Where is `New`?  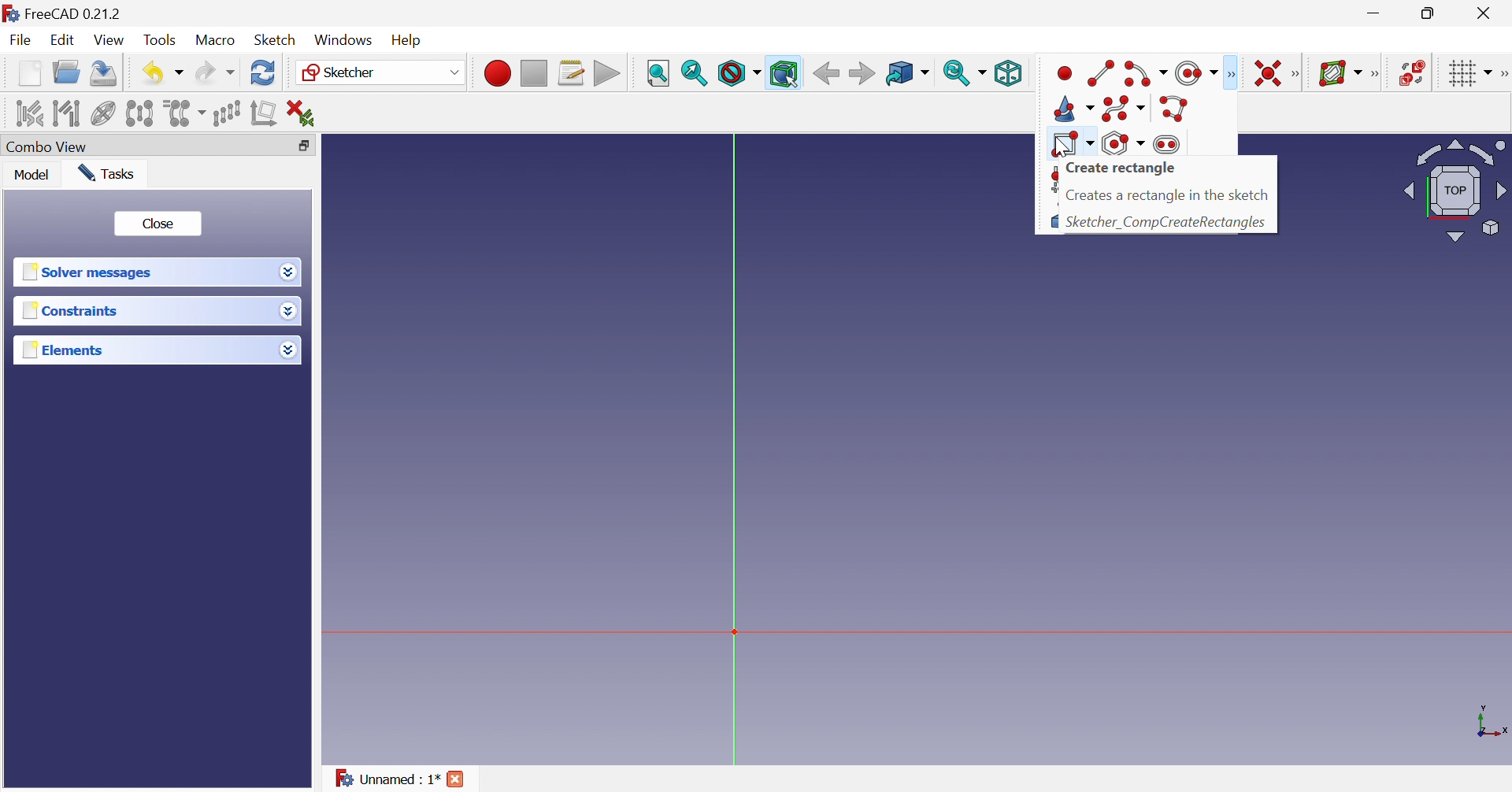
New is located at coordinates (29, 72).